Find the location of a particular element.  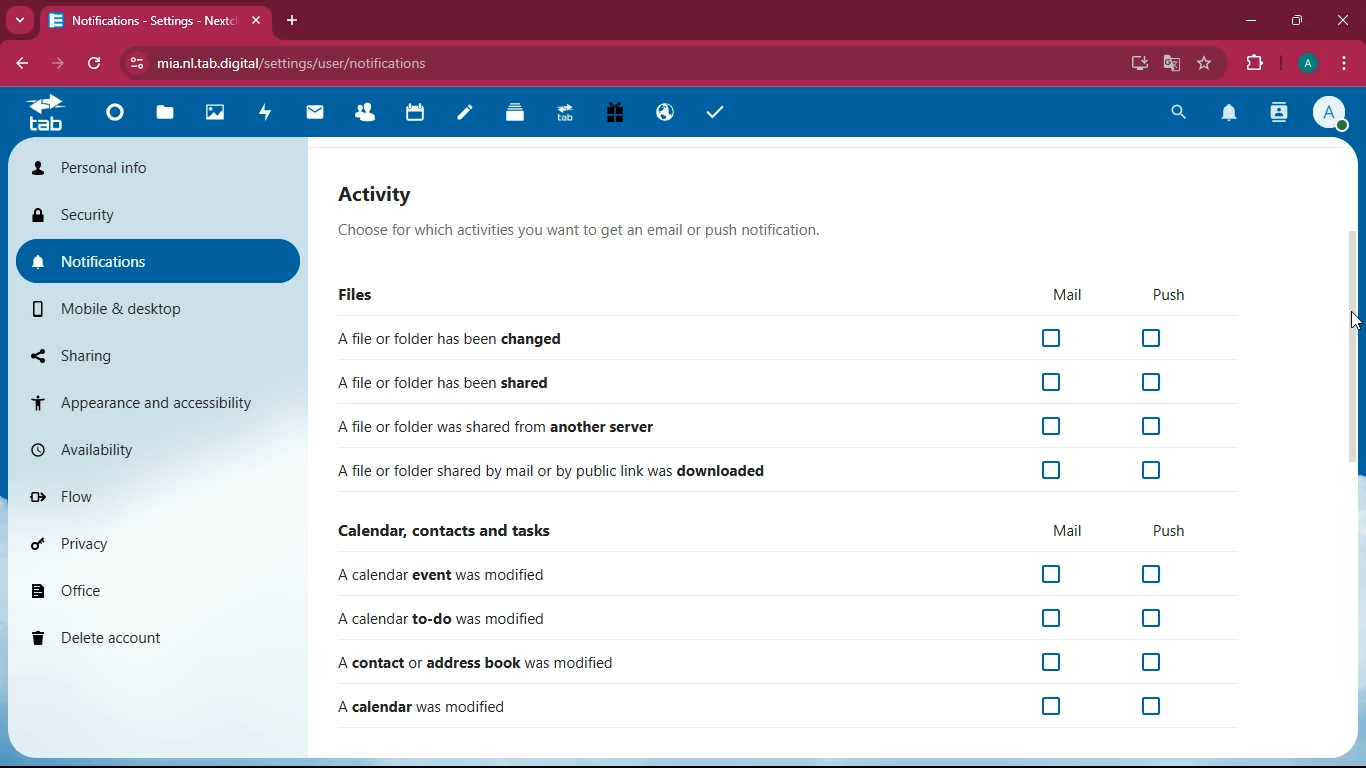

minimize is located at coordinates (1250, 22).